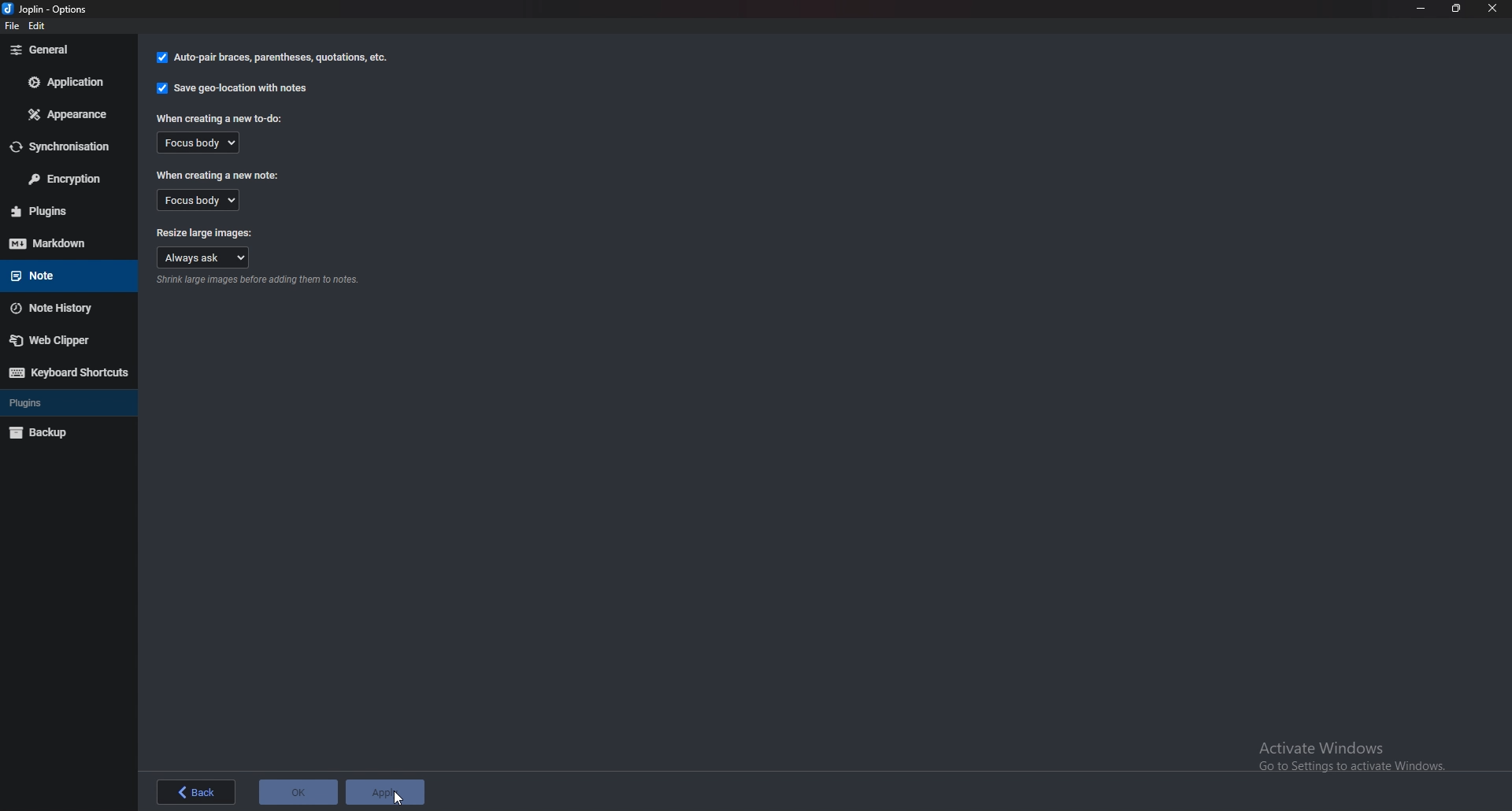 This screenshot has height=811, width=1512. What do you see at coordinates (199, 144) in the screenshot?
I see `Focus body` at bounding box center [199, 144].